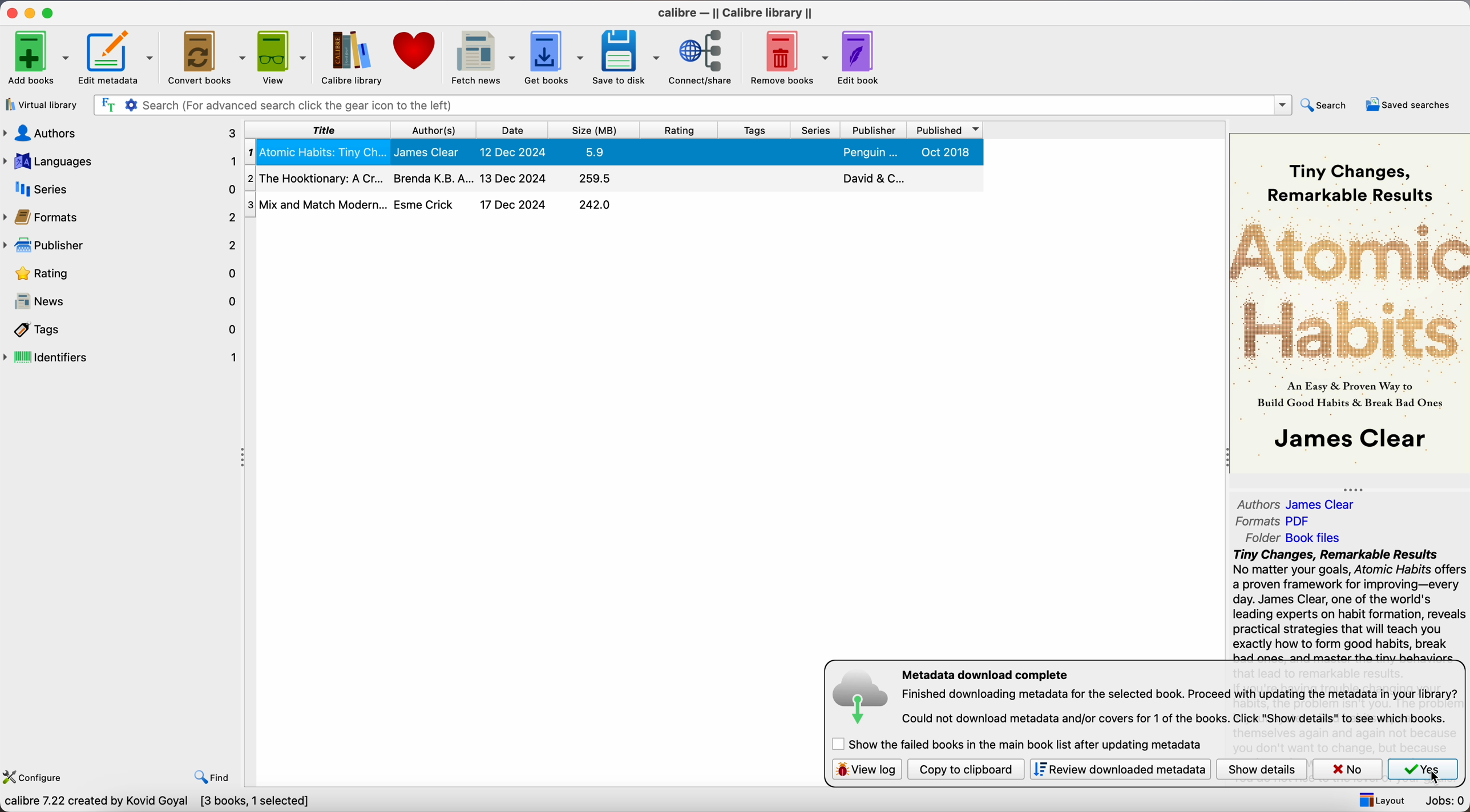 The width and height of the screenshot is (1470, 812). What do you see at coordinates (324, 130) in the screenshot?
I see `title` at bounding box center [324, 130].